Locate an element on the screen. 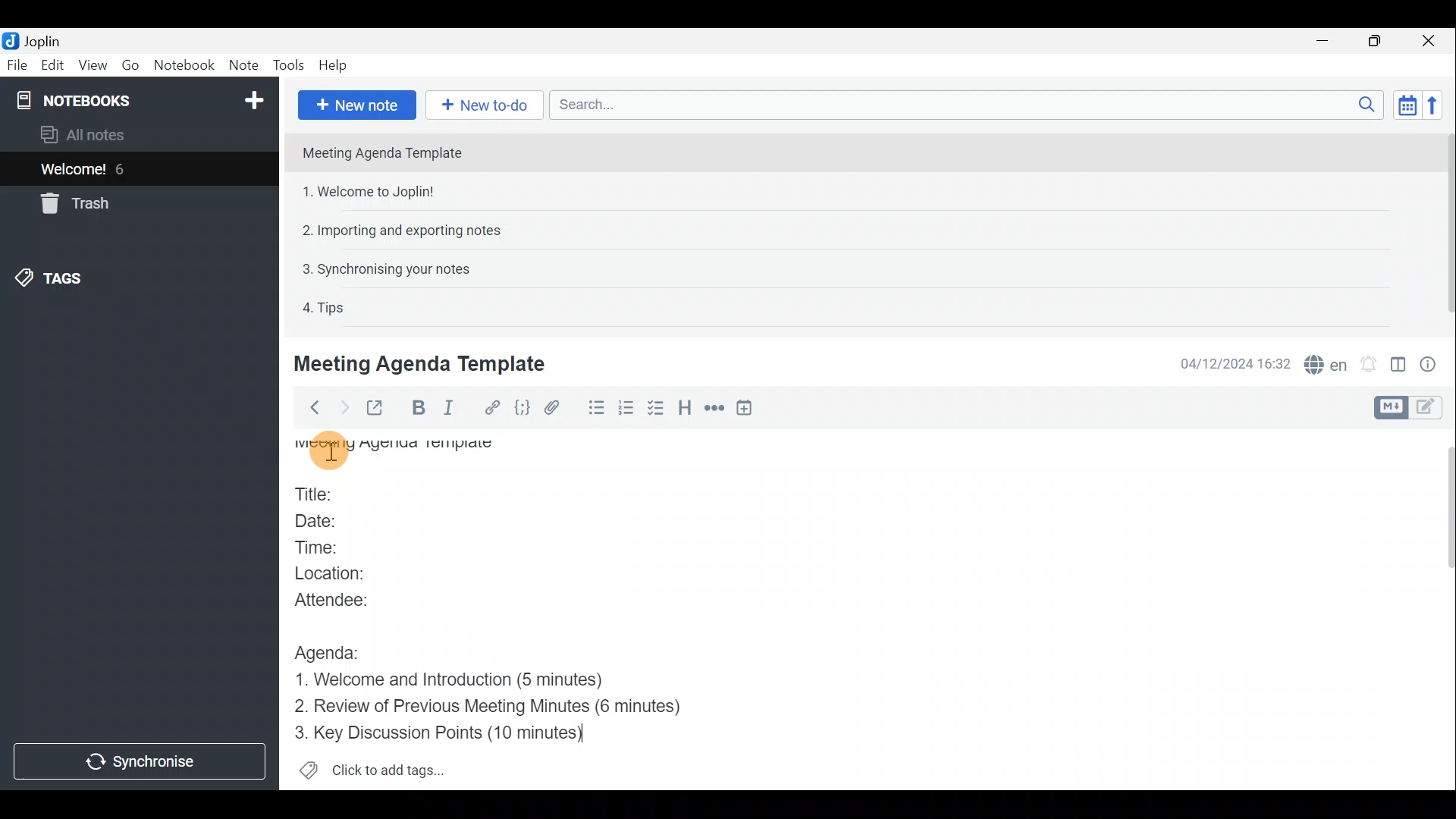 The image size is (1456, 819). 1. Welcome and Introduction (5 minutes) is located at coordinates (472, 681).